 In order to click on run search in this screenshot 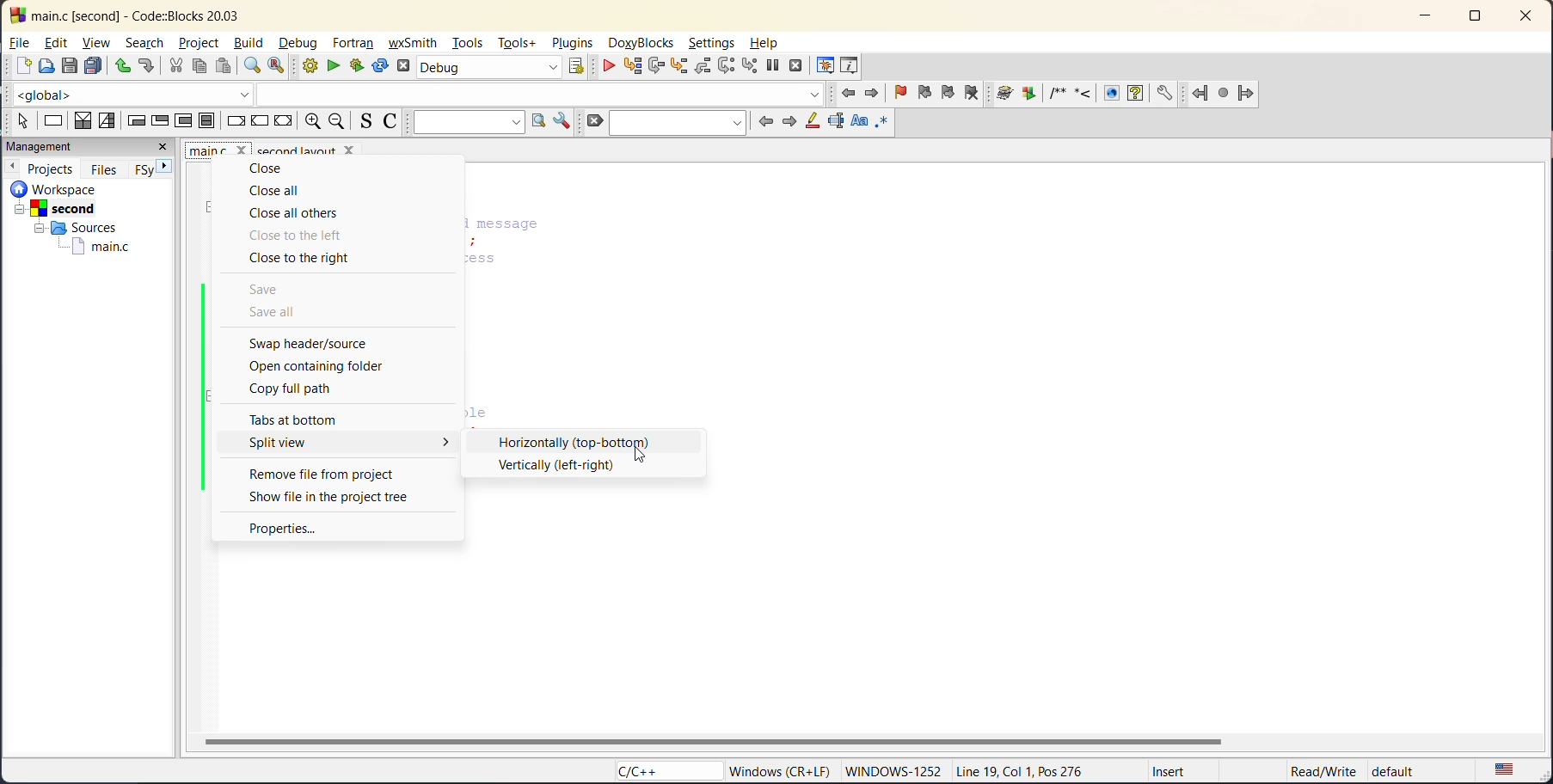, I will do `click(537, 121)`.